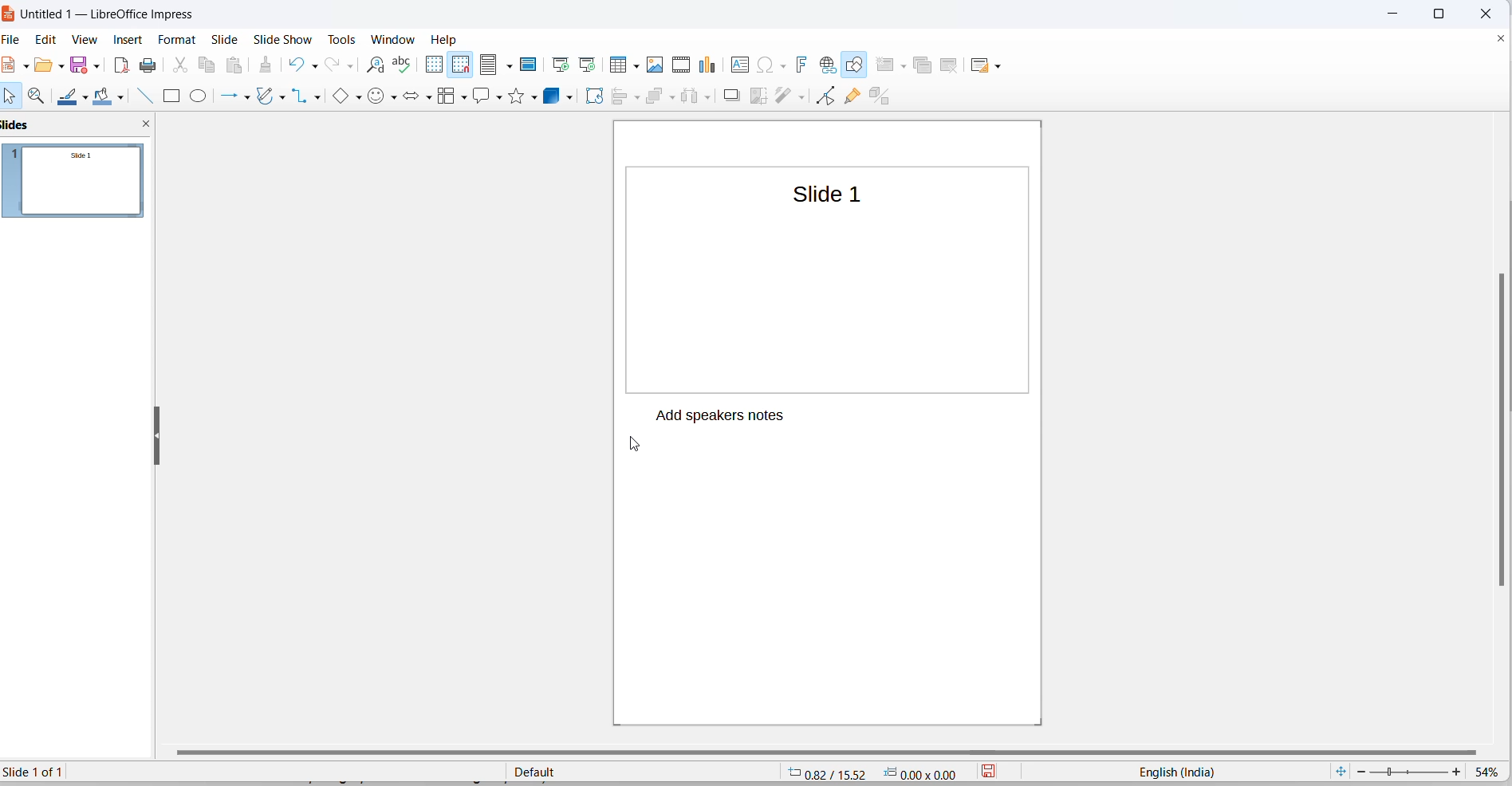  I want to click on line color options, so click(88, 96).